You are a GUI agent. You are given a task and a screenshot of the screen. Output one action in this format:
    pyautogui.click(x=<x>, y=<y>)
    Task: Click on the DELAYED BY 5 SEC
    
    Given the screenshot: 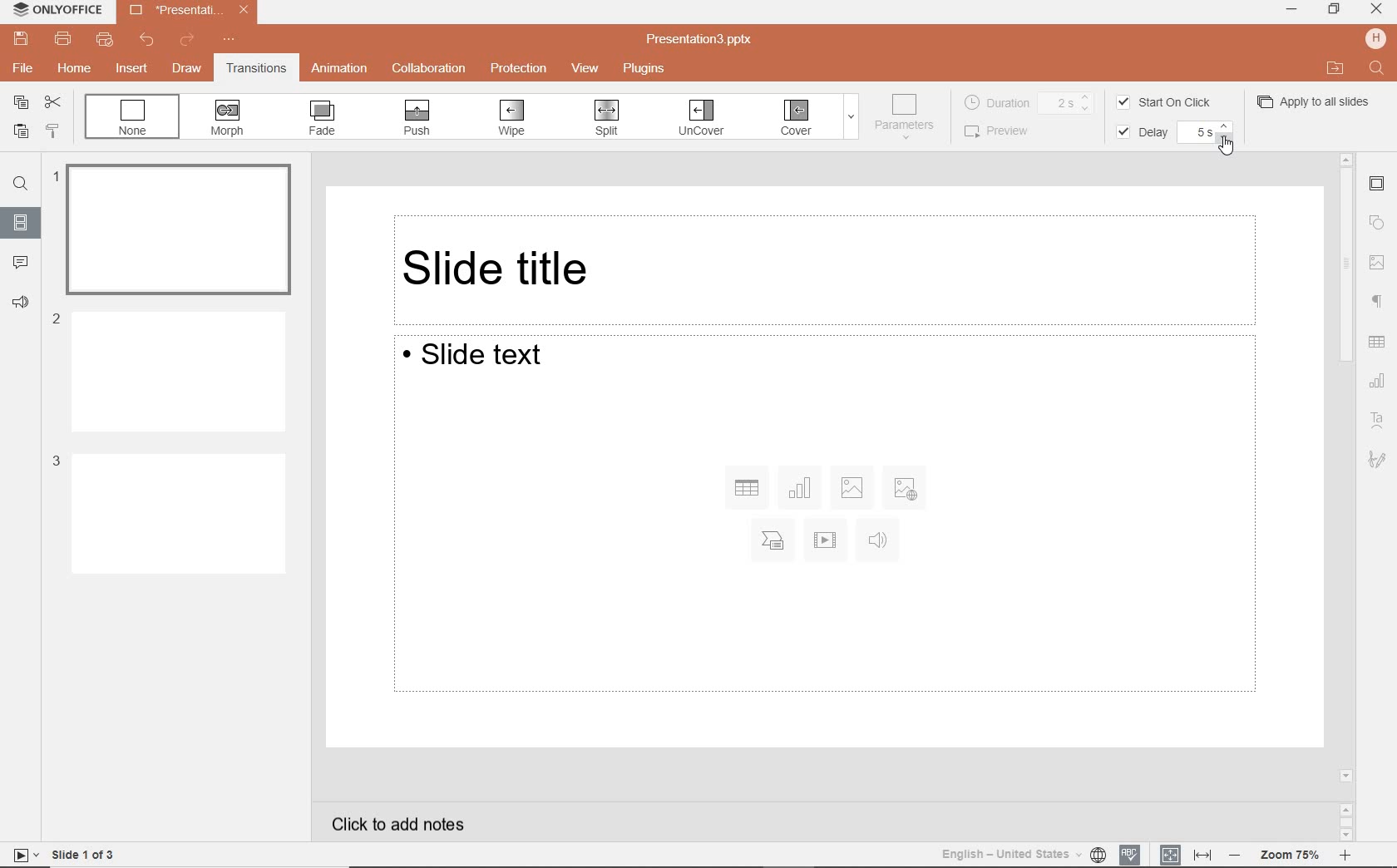 What is the action you would take?
    pyautogui.click(x=1204, y=133)
    